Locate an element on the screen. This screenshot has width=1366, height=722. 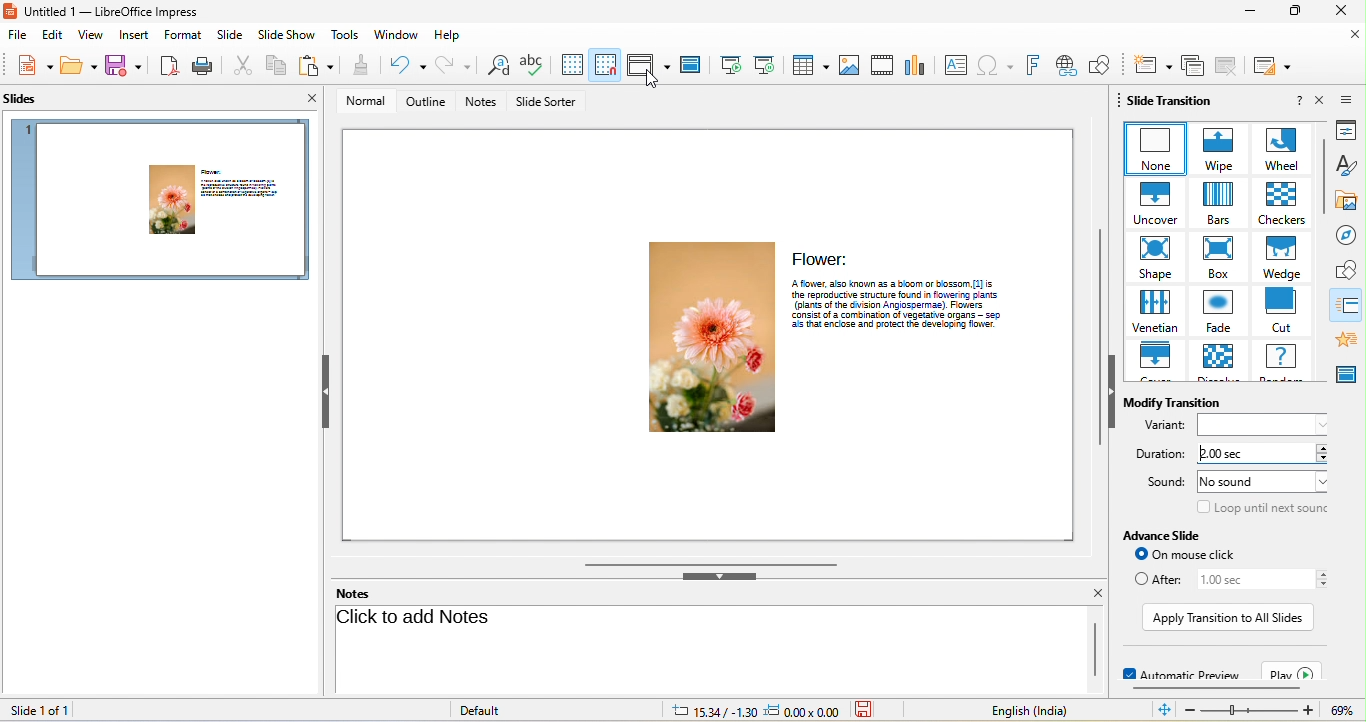
text box is located at coordinates (957, 64).